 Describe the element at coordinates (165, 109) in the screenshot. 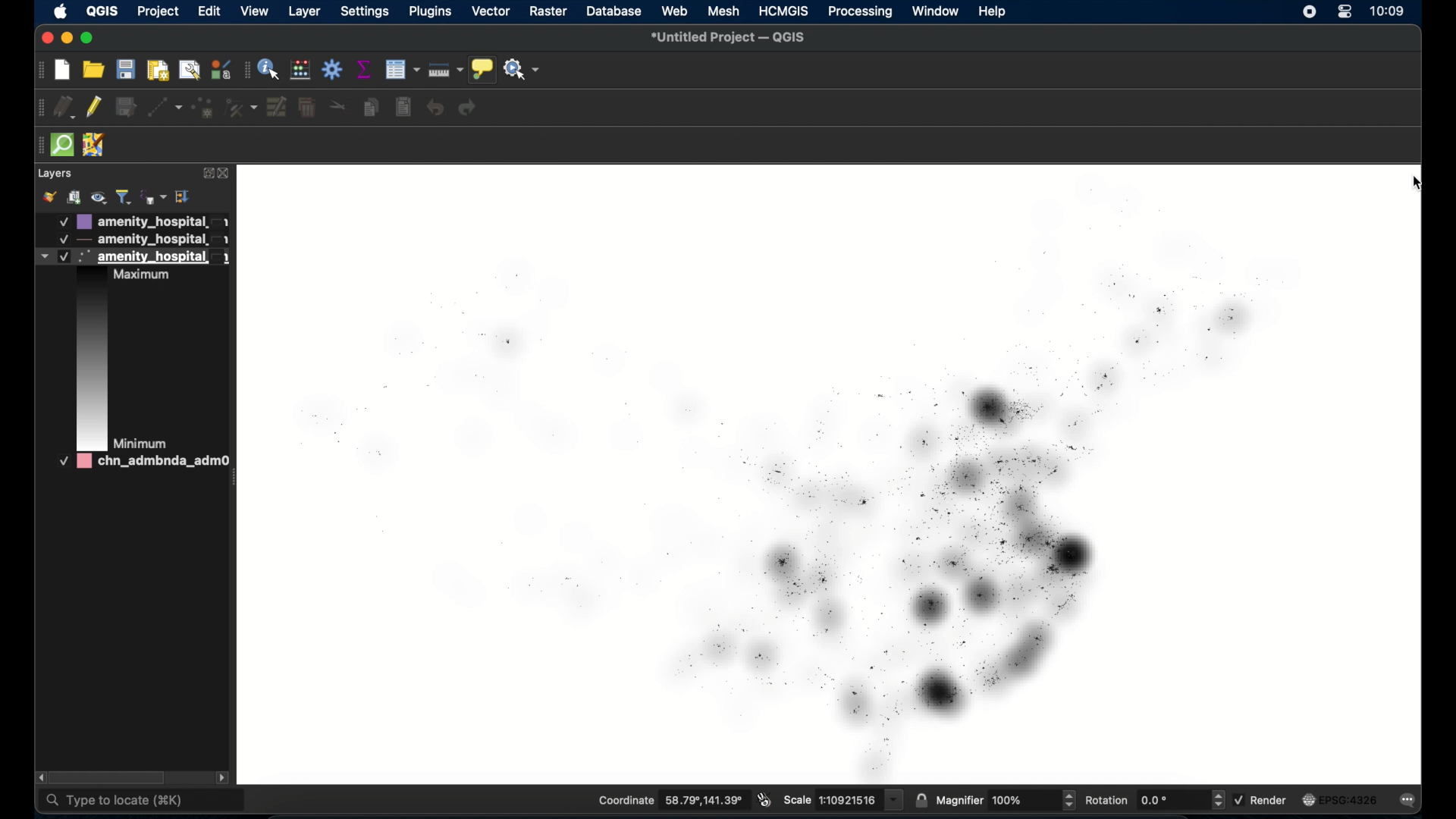

I see `digitize with segment` at that location.